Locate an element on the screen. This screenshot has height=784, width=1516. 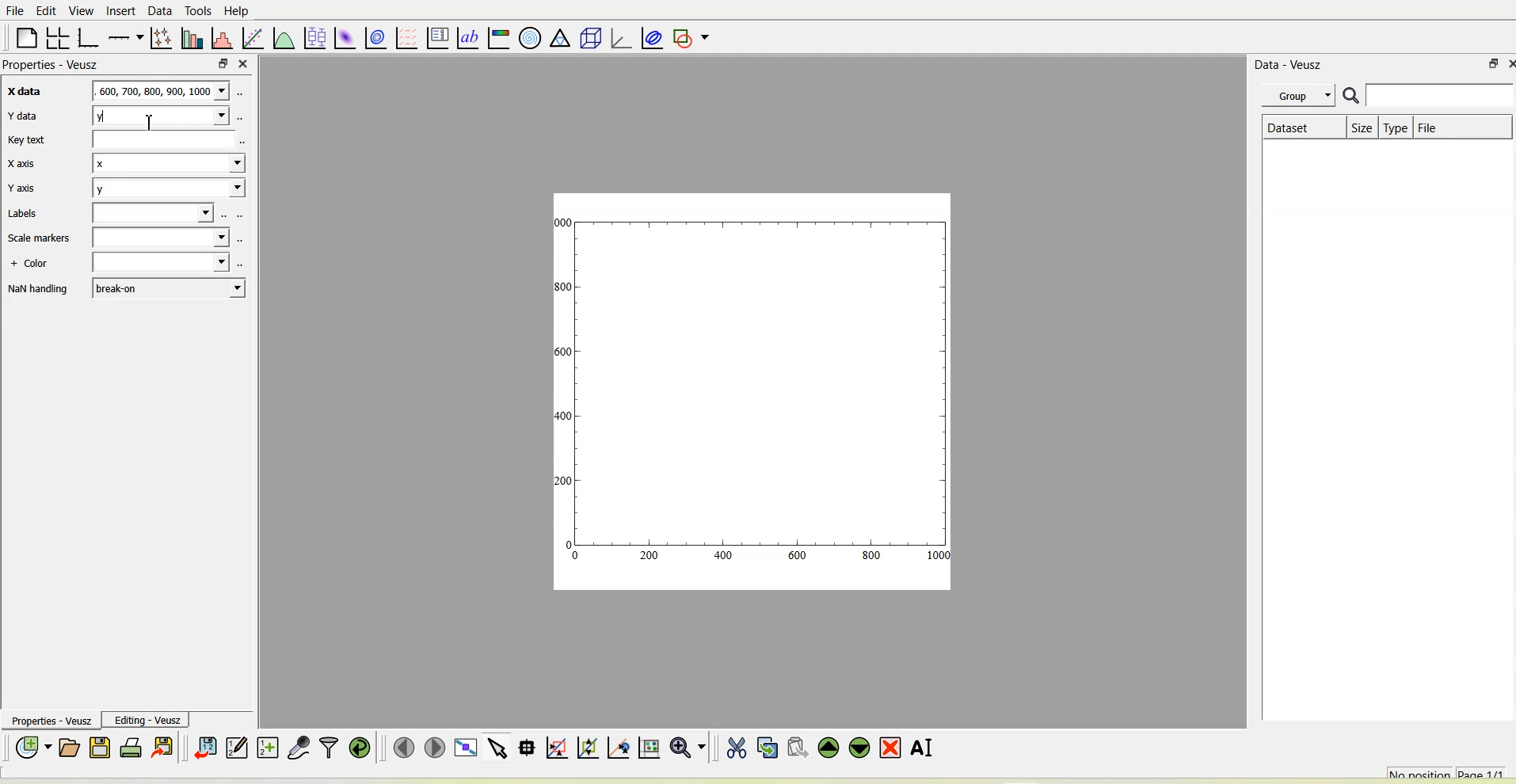
select using dataset browser is located at coordinates (240, 116).